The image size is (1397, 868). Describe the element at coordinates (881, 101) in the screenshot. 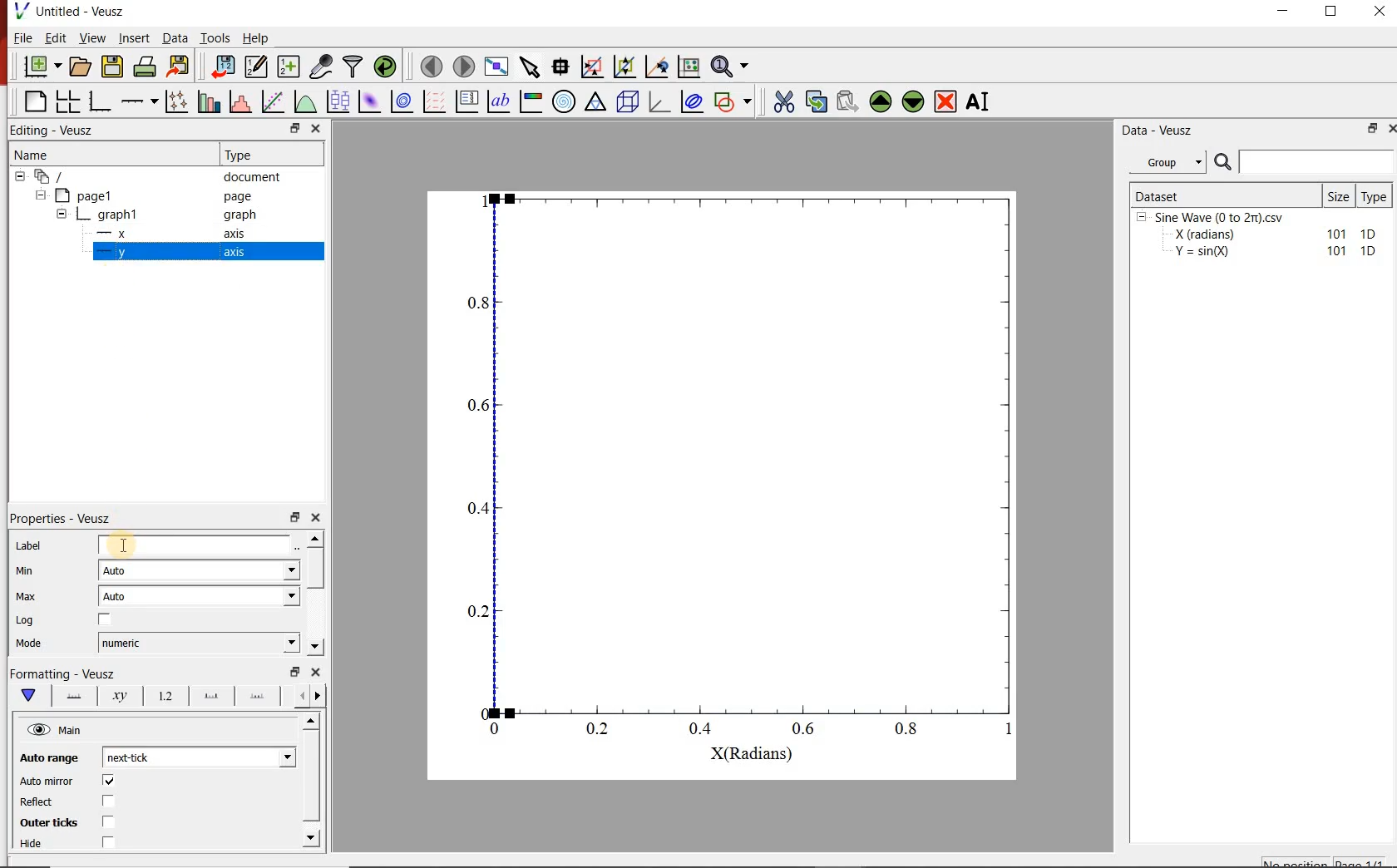

I see `move up` at that location.